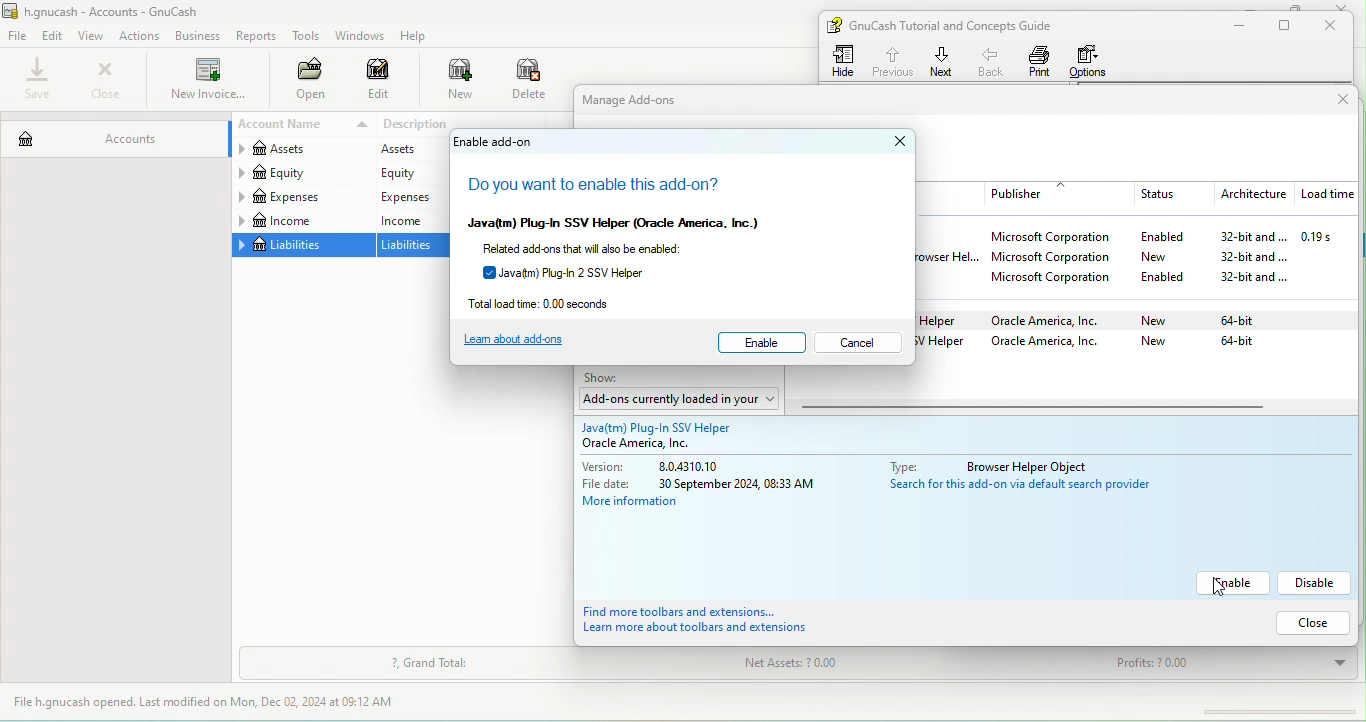 The width and height of the screenshot is (1366, 722). I want to click on 0.19s, so click(1328, 237).